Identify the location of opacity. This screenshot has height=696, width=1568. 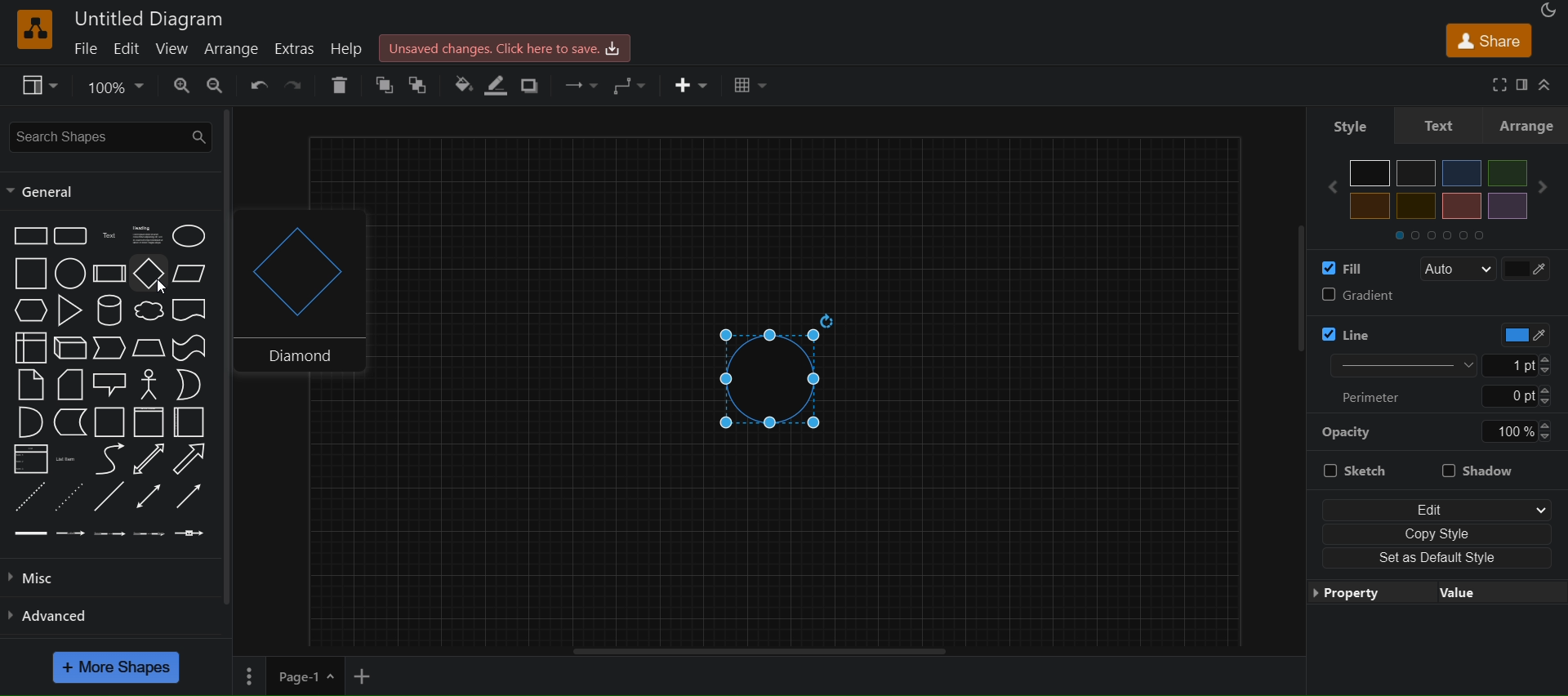
(1348, 431).